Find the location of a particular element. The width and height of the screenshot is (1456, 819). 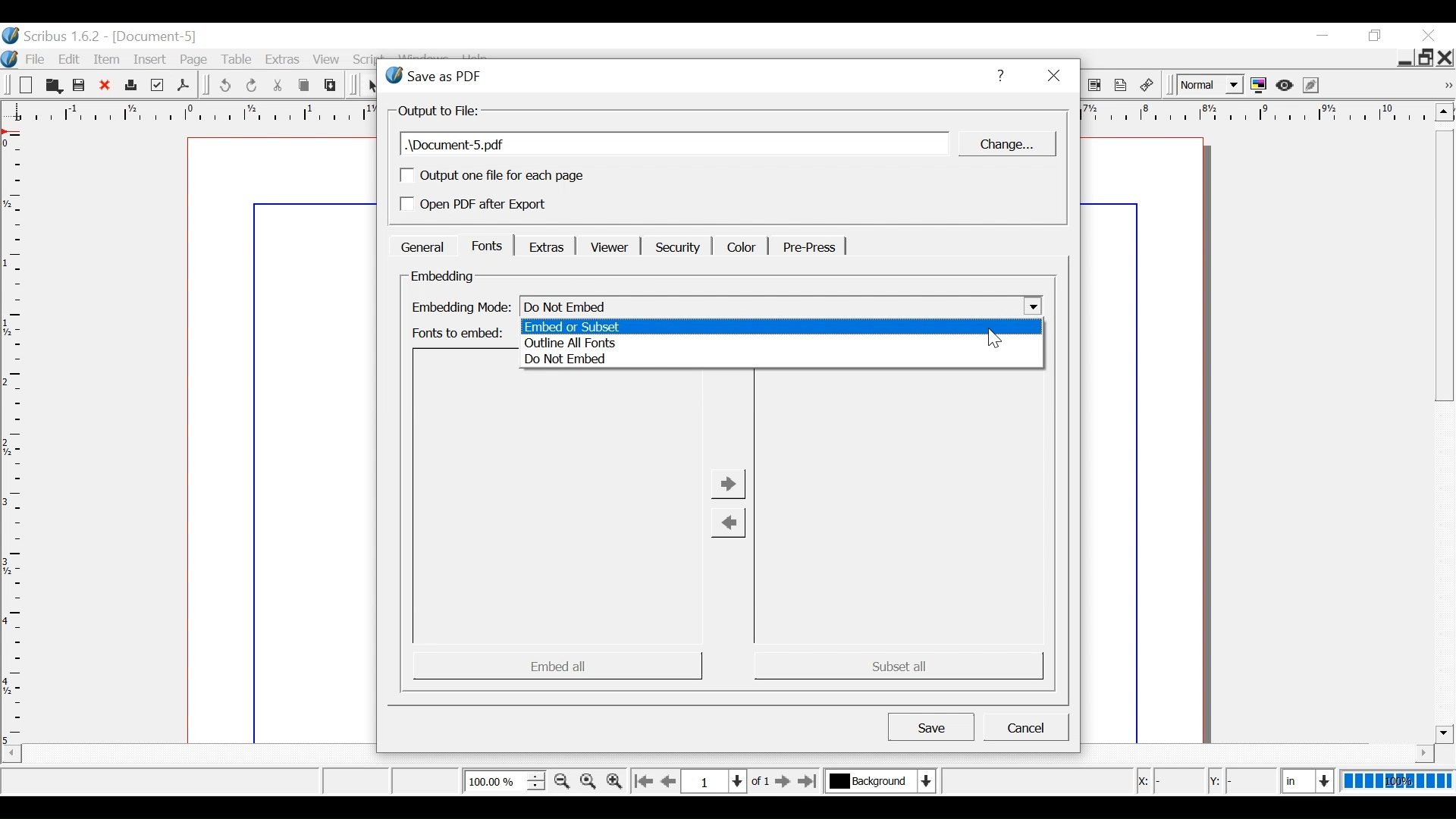

Copy is located at coordinates (306, 86).